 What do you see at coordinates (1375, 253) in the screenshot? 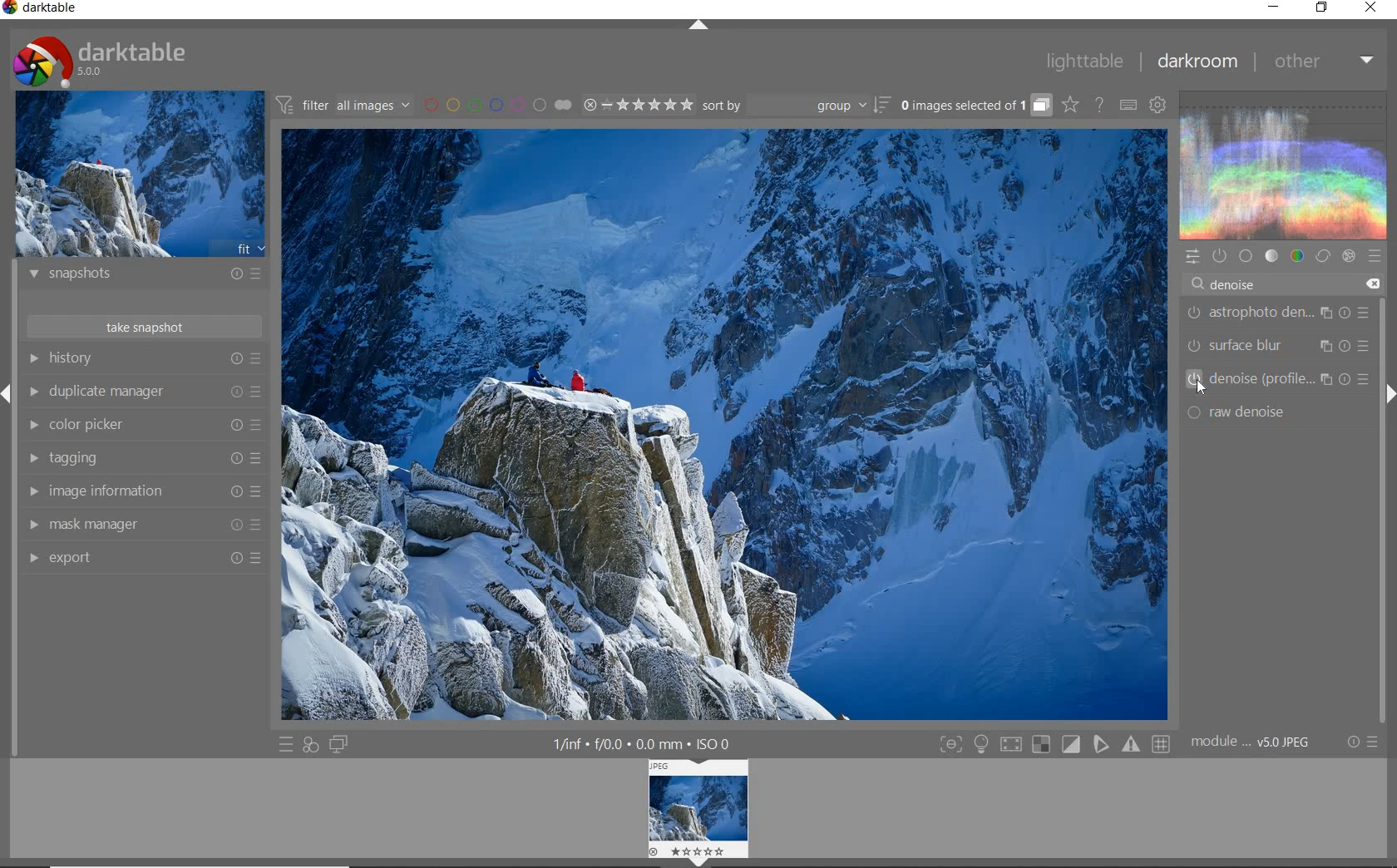
I see `presets` at bounding box center [1375, 253].